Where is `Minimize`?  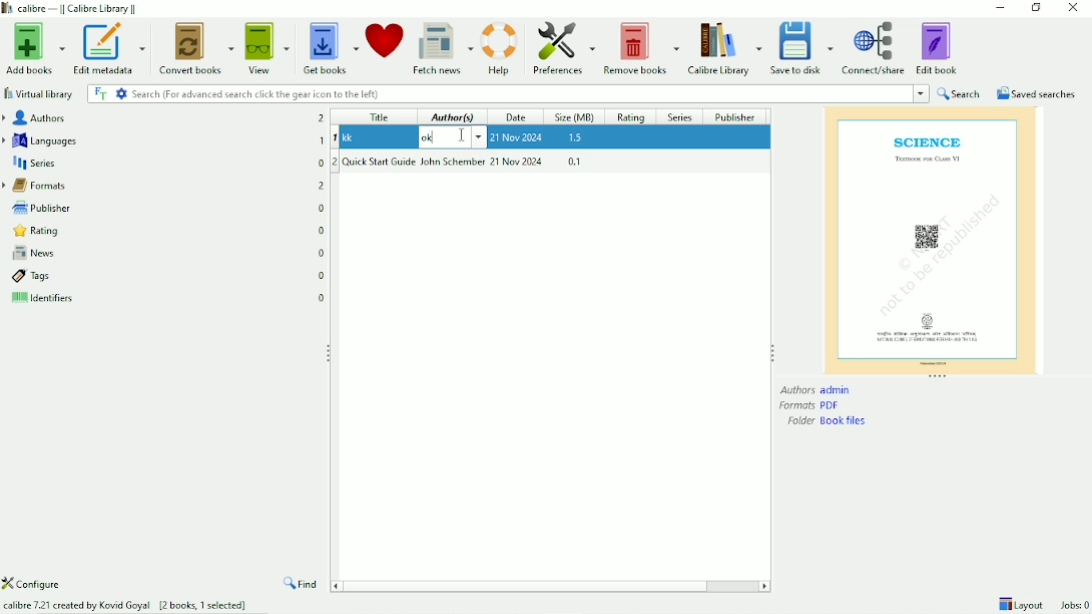
Minimize is located at coordinates (1001, 7).